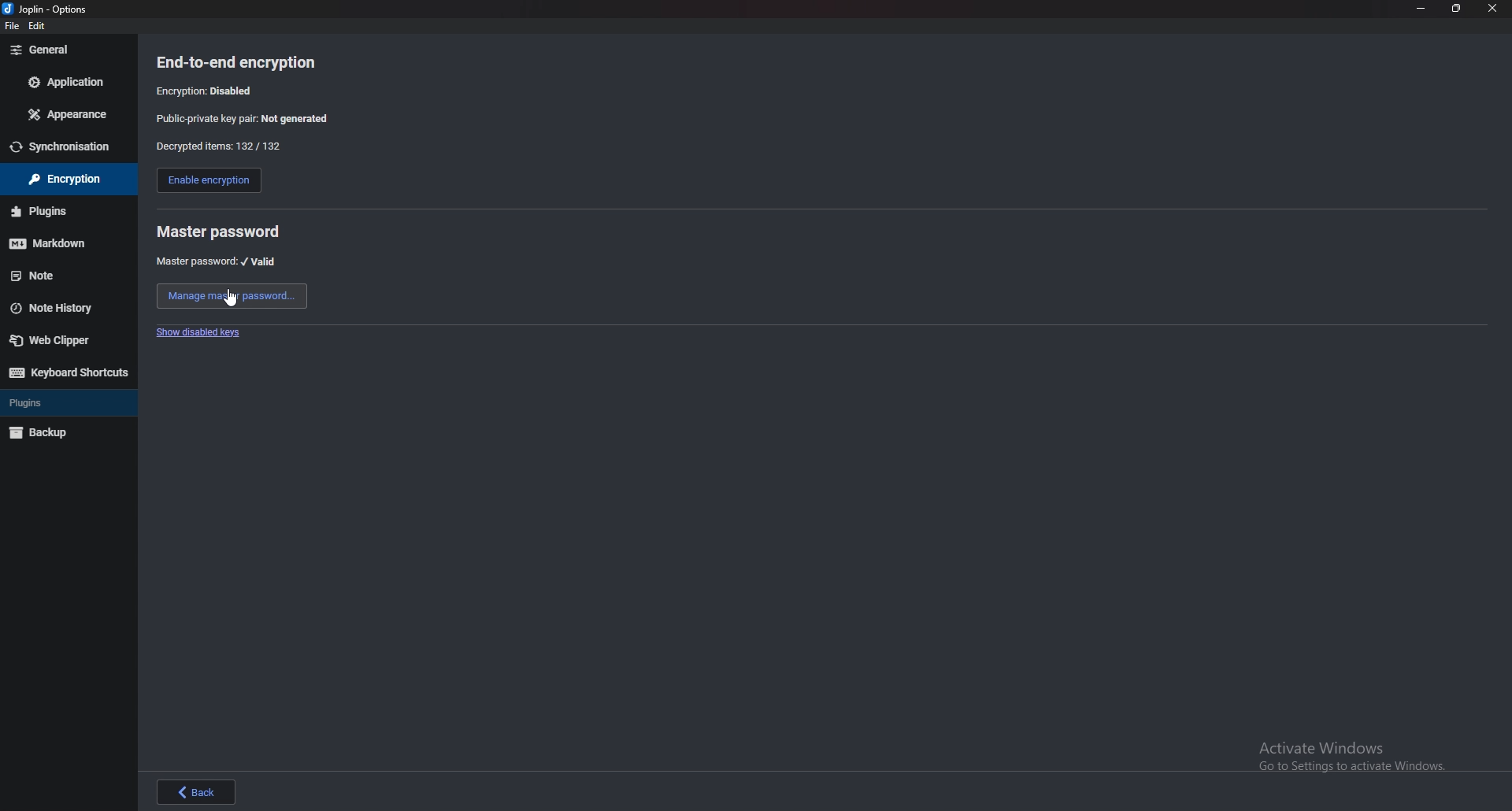 This screenshot has height=811, width=1512. Describe the element at coordinates (1351, 751) in the screenshot. I see `Activate Windows` at that location.